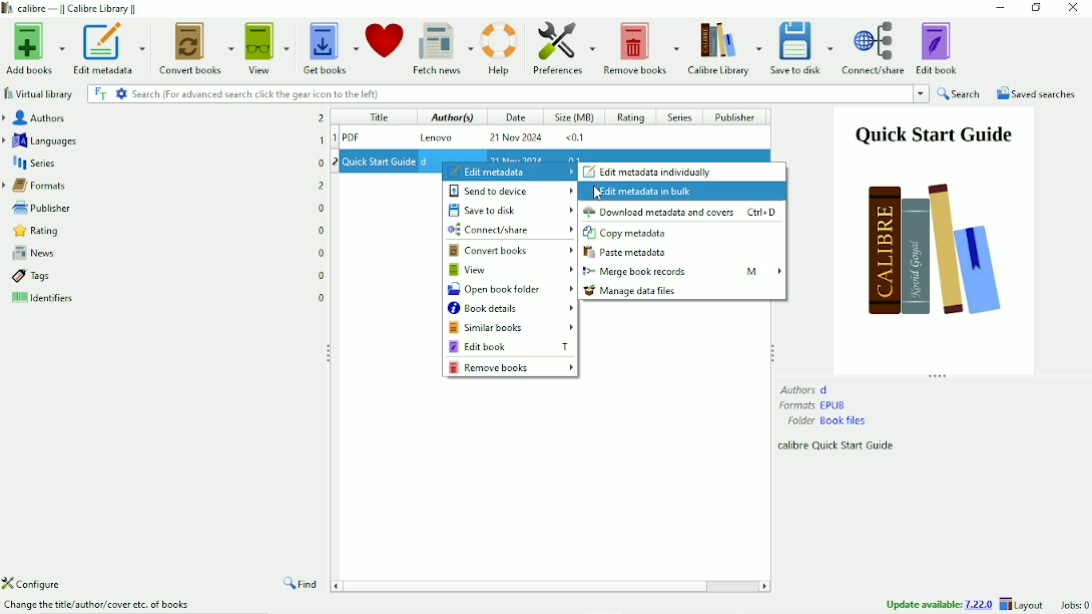 The image size is (1092, 614). What do you see at coordinates (648, 172) in the screenshot?
I see `Edit metadata individually` at bounding box center [648, 172].